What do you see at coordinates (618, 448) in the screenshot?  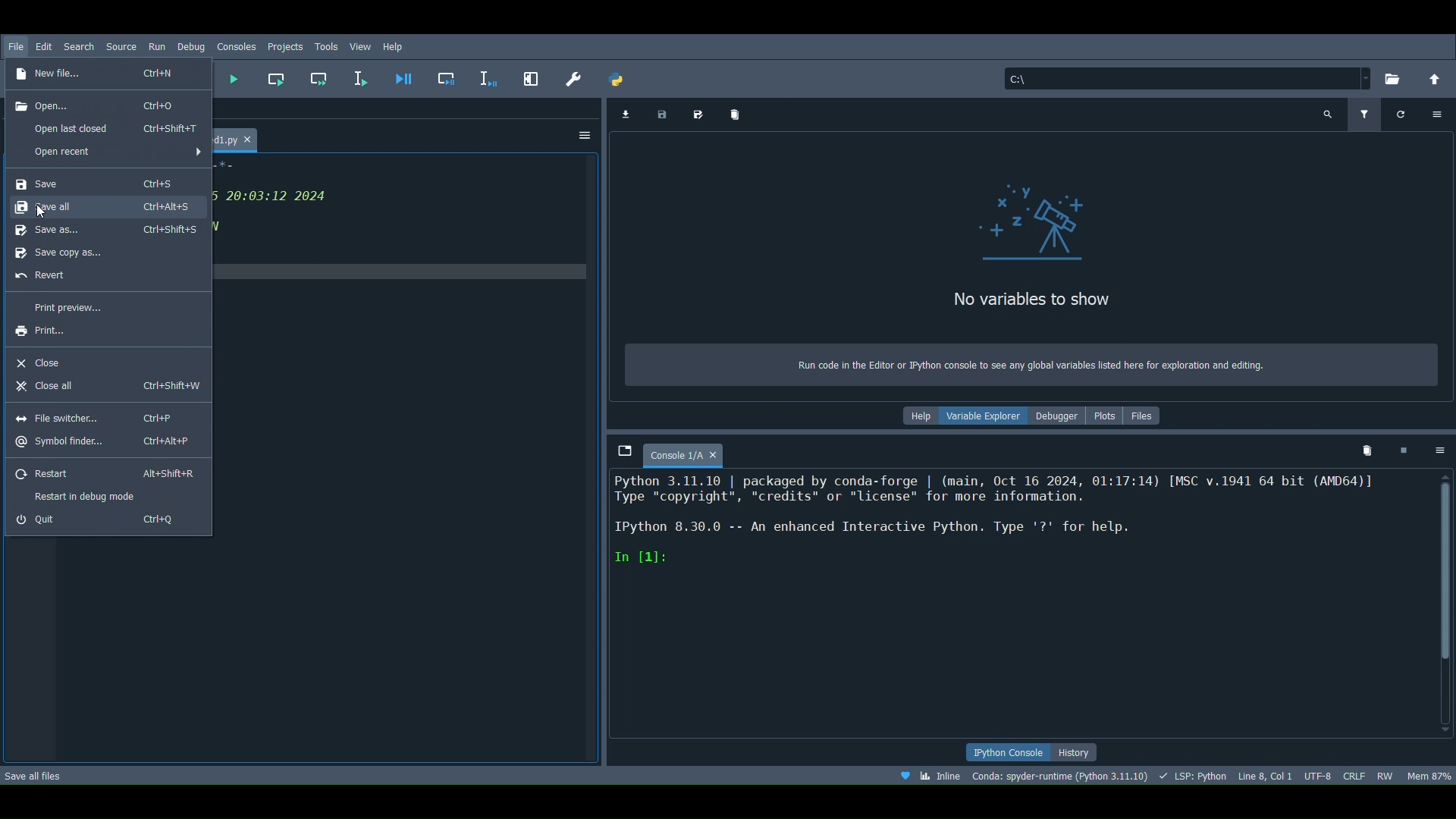 I see `Browse tabs` at bounding box center [618, 448].